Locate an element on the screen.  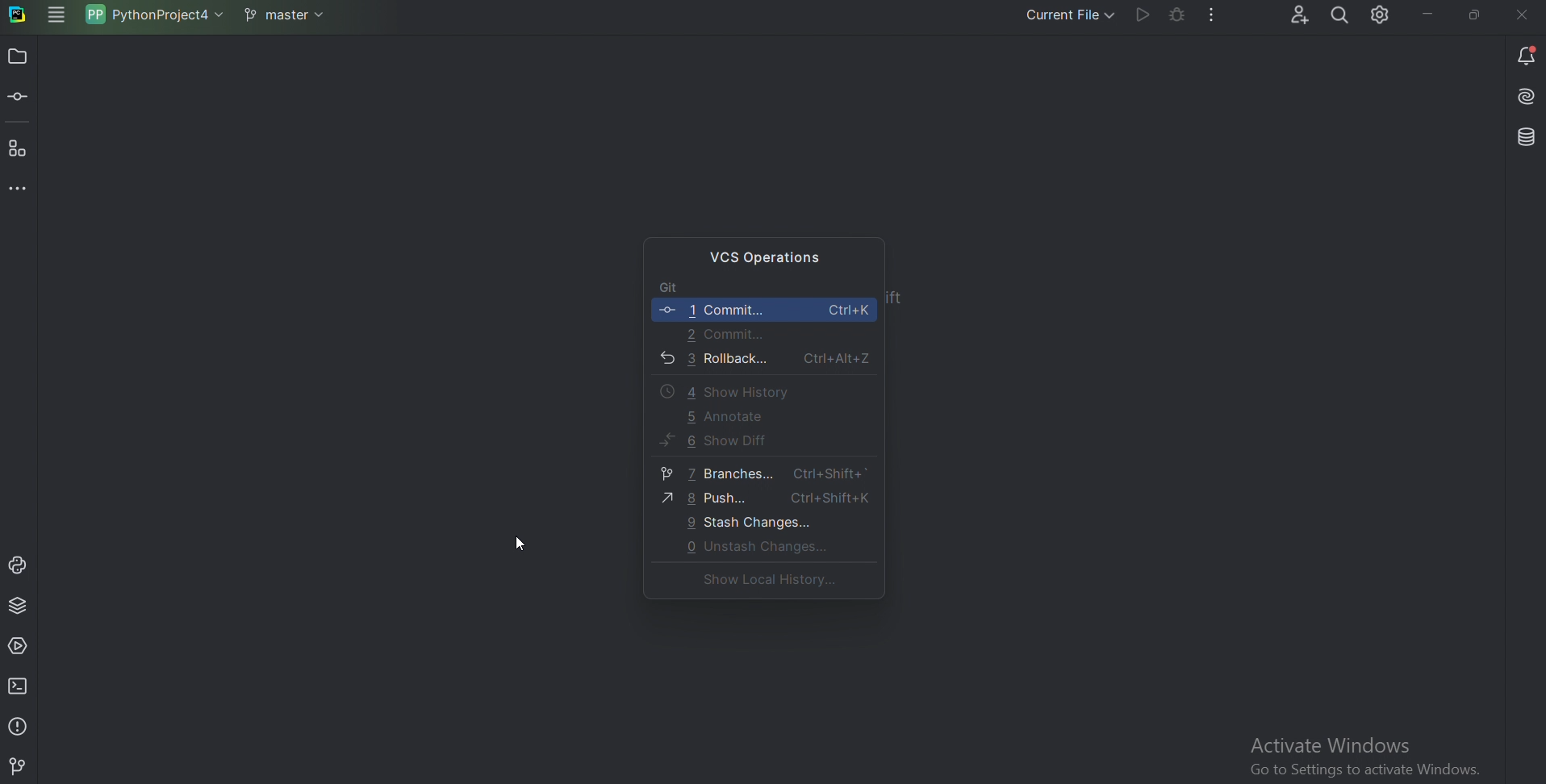
Commit is located at coordinates (726, 335).